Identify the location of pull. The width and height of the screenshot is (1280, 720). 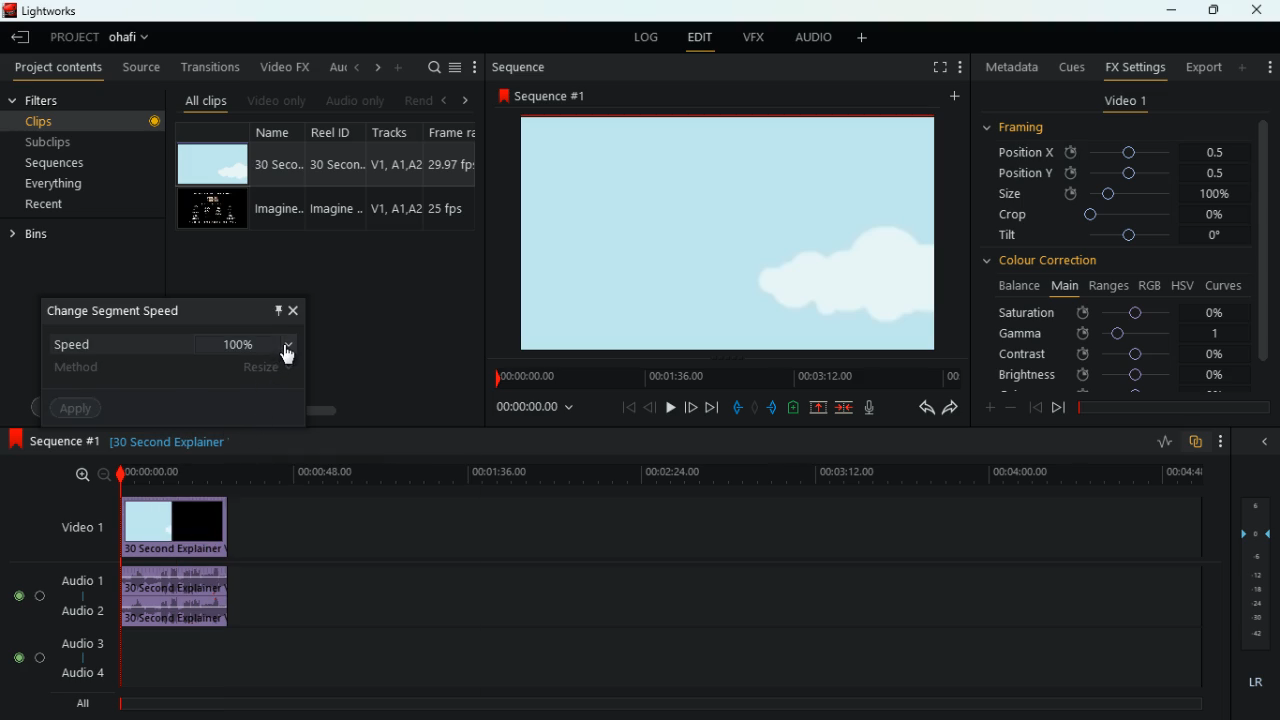
(736, 406).